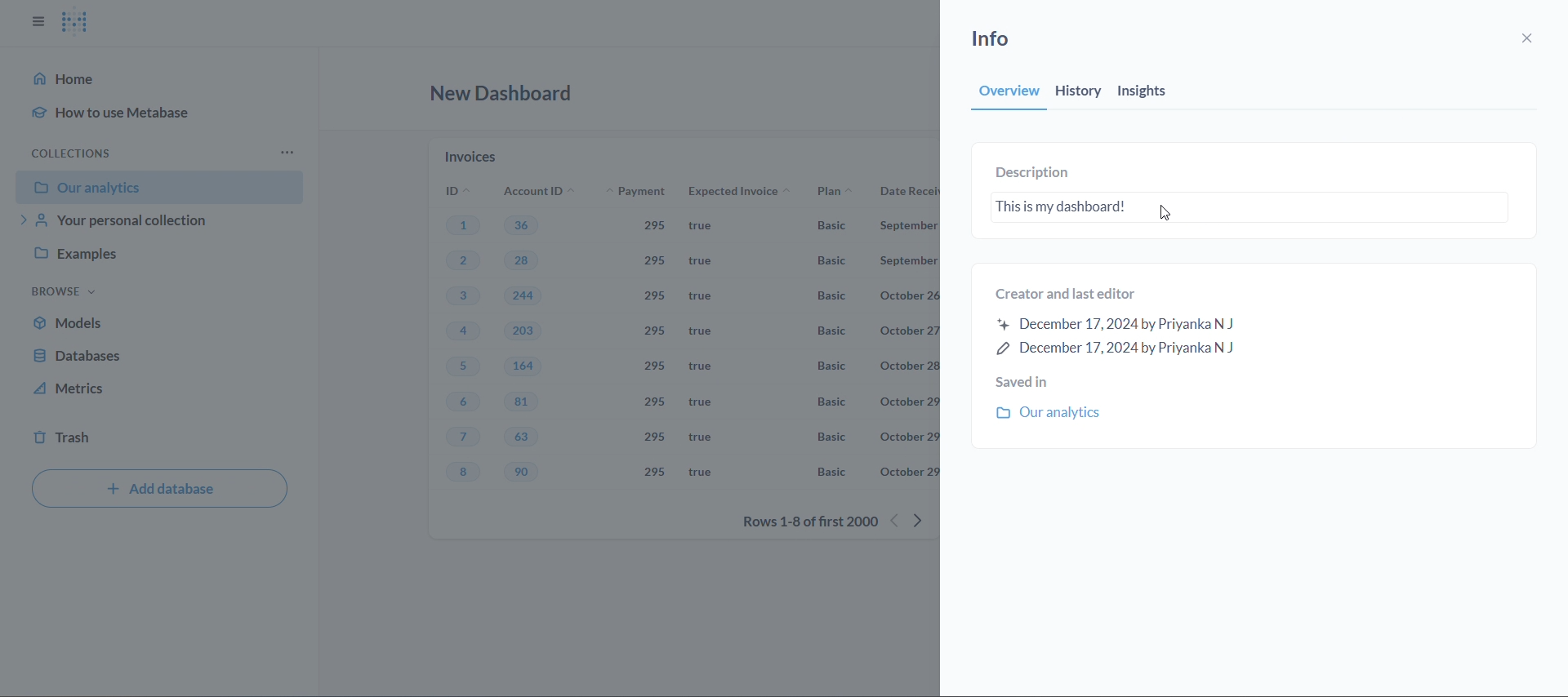  I want to click on true, so click(706, 331).